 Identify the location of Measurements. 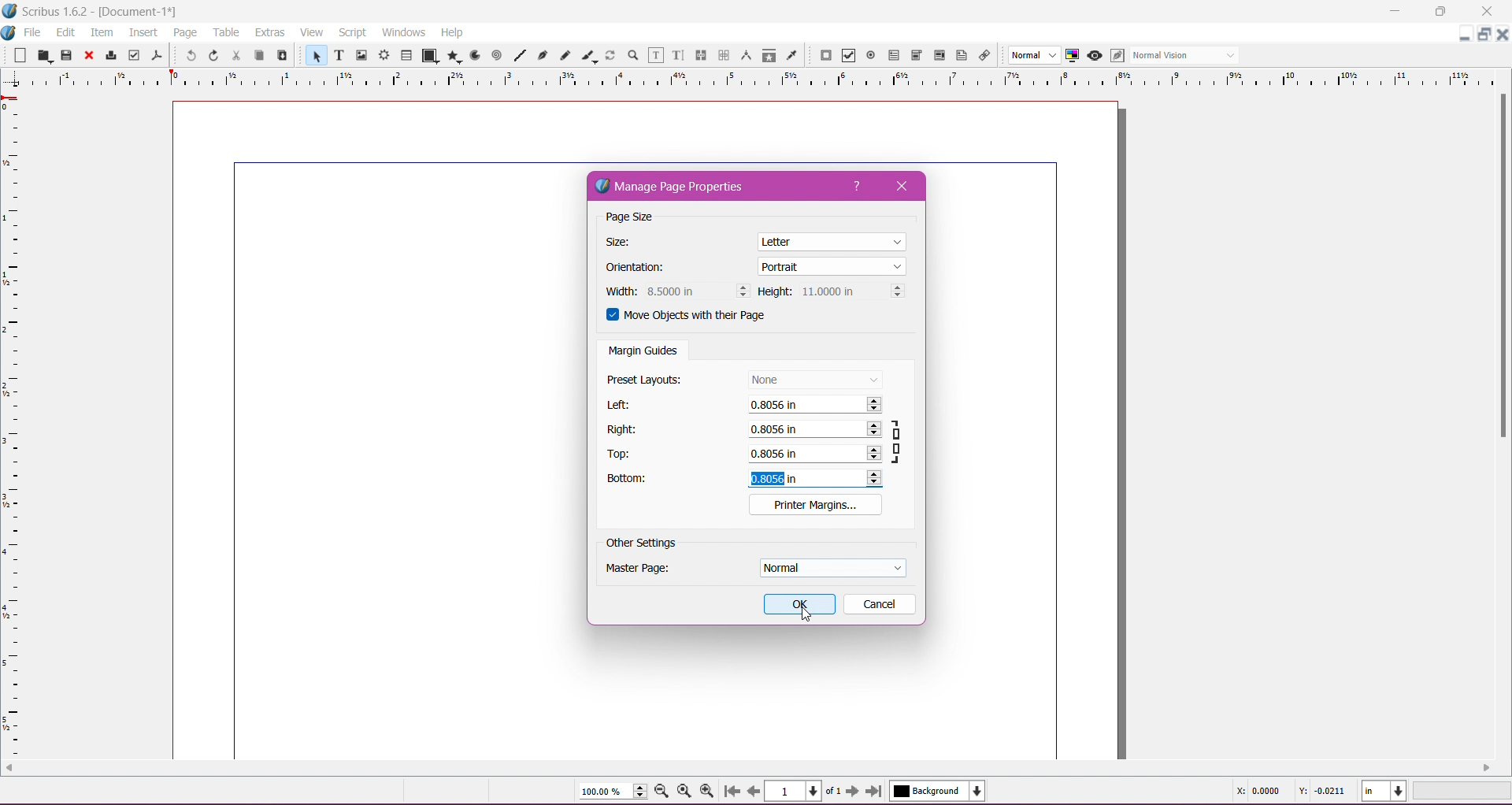
(745, 55).